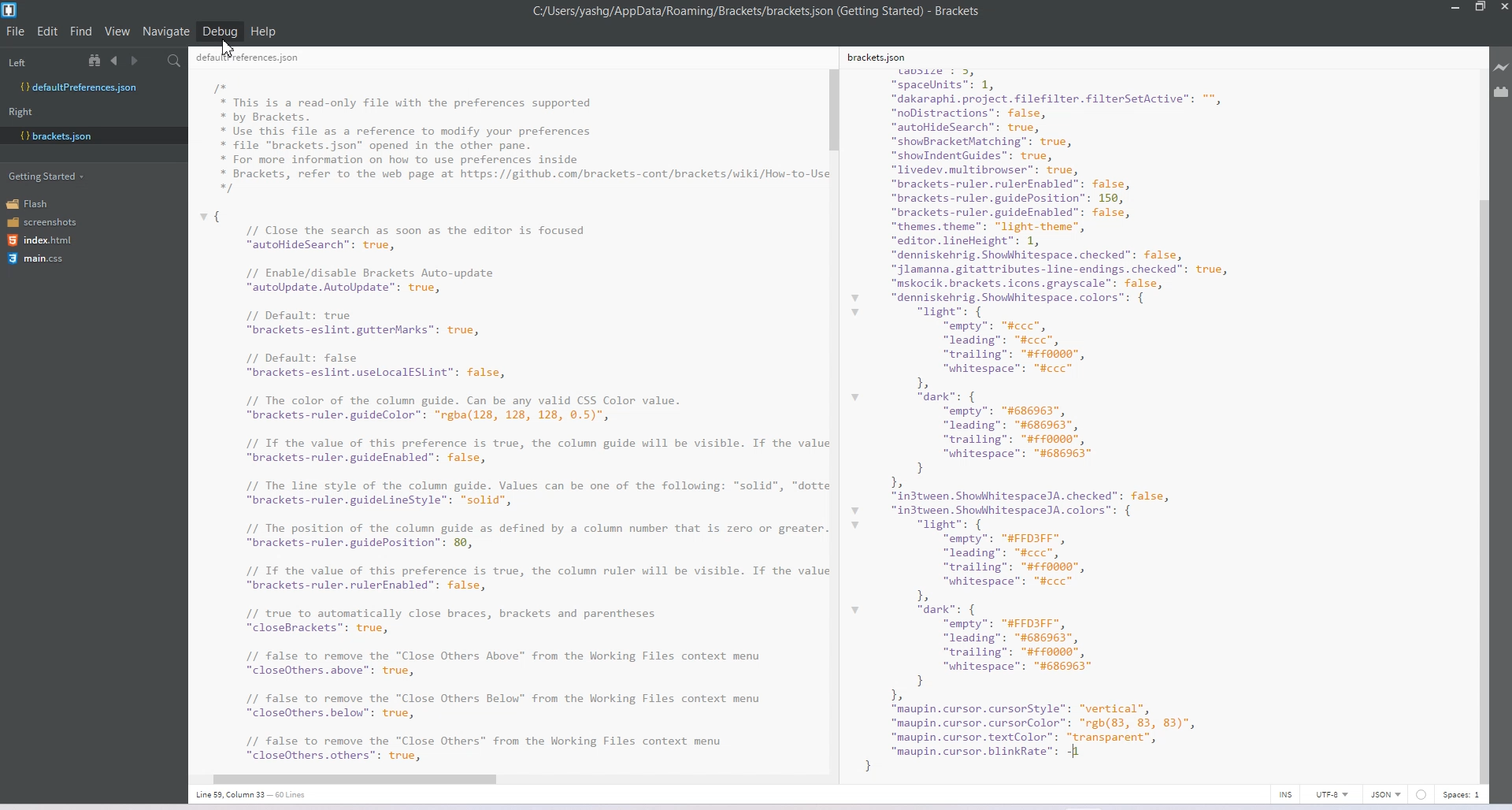 The image size is (1512, 810). What do you see at coordinates (154, 61) in the screenshot?
I see `Split editor vertically and Horizontally` at bounding box center [154, 61].